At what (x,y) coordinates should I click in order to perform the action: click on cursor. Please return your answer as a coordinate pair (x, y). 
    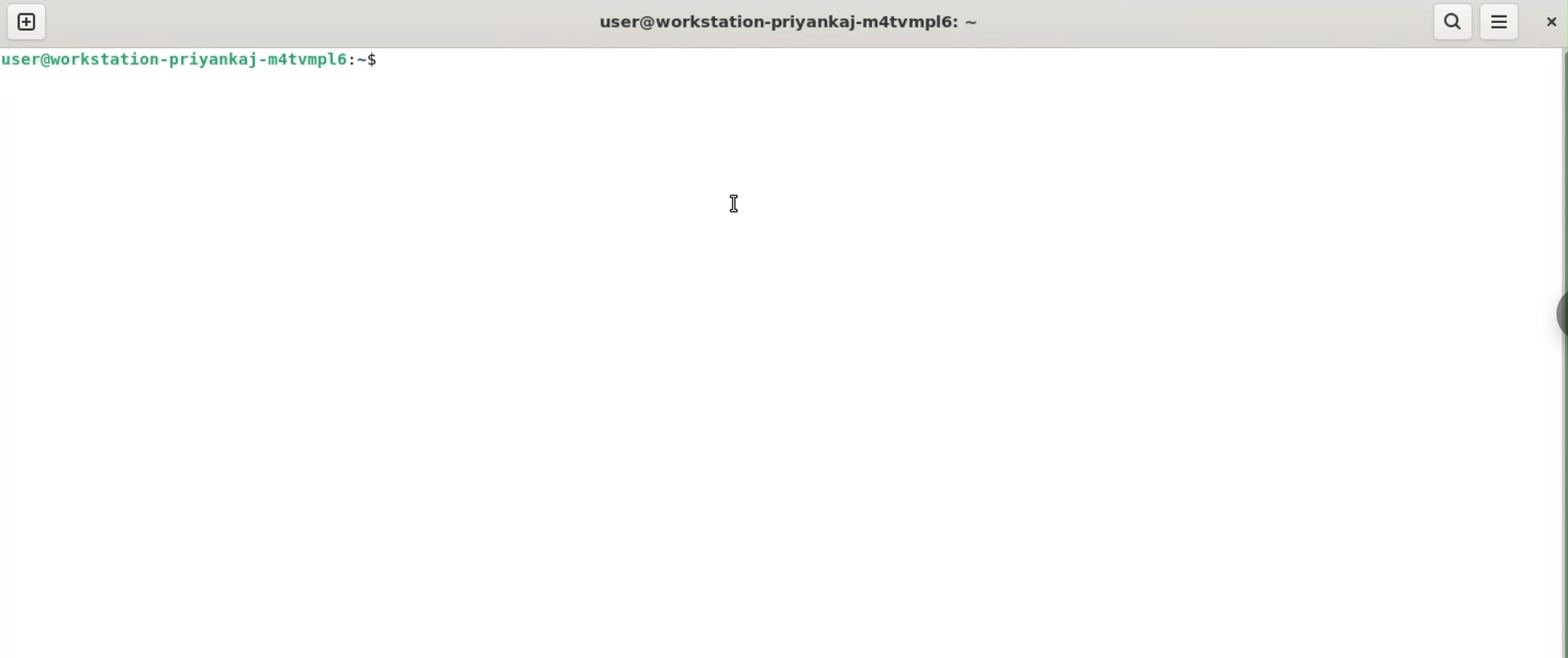
    Looking at the image, I should click on (731, 204).